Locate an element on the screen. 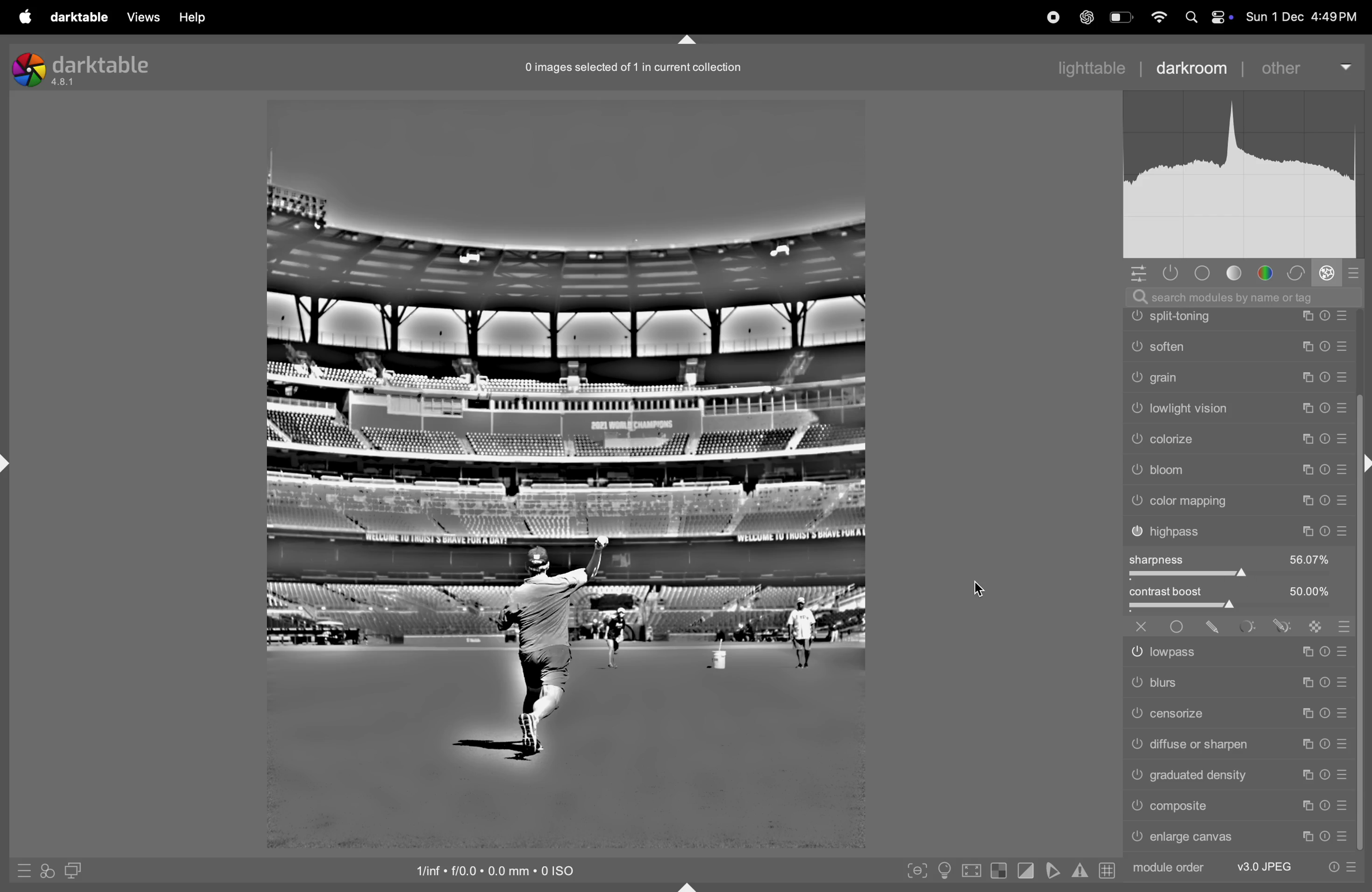 The height and width of the screenshot is (892, 1372). apple menu is located at coordinates (22, 16).